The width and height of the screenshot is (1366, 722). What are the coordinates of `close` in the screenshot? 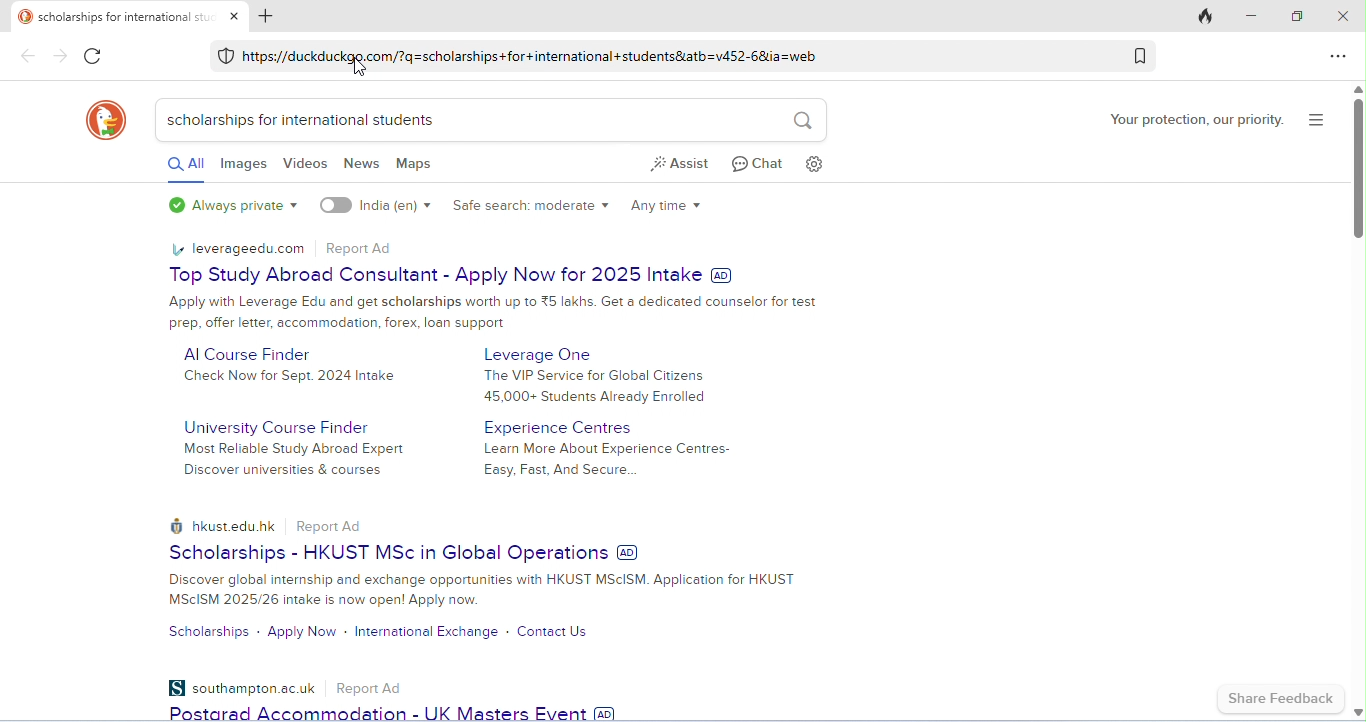 It's located at (1340, 16).